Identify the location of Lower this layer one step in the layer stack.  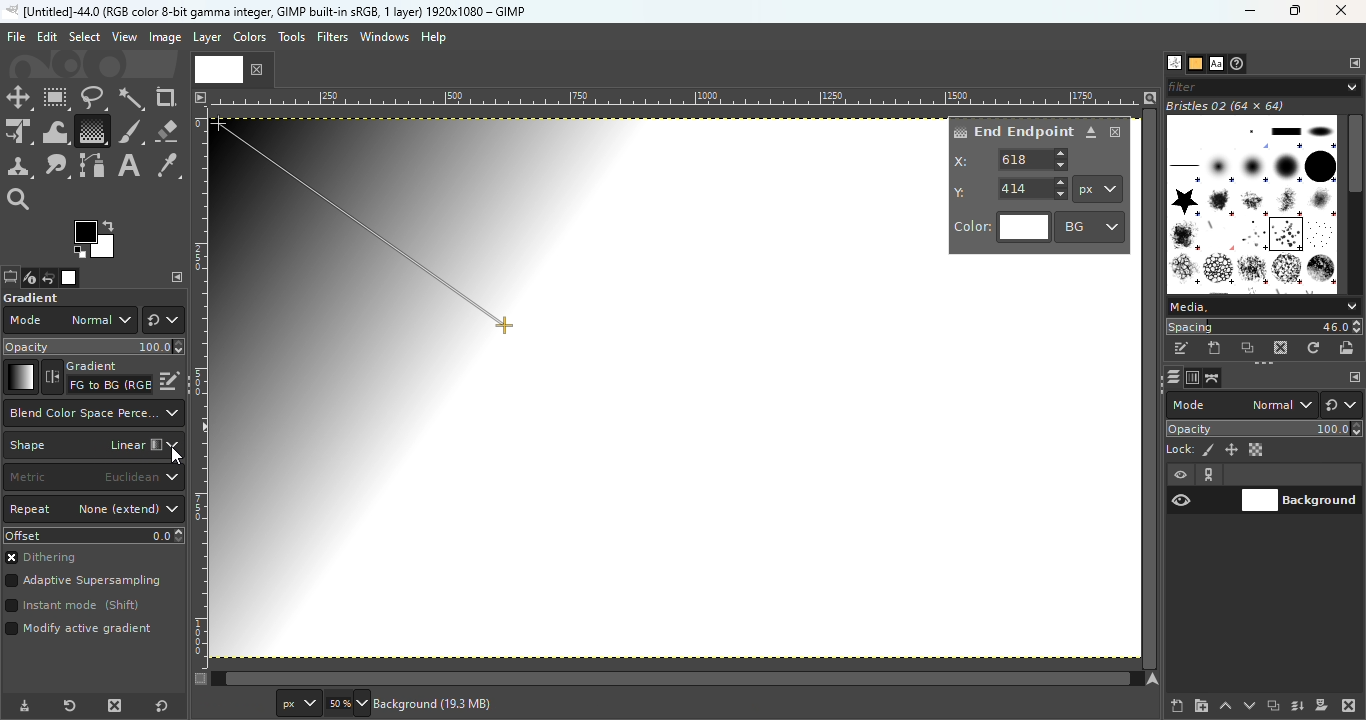
(1249, 706).